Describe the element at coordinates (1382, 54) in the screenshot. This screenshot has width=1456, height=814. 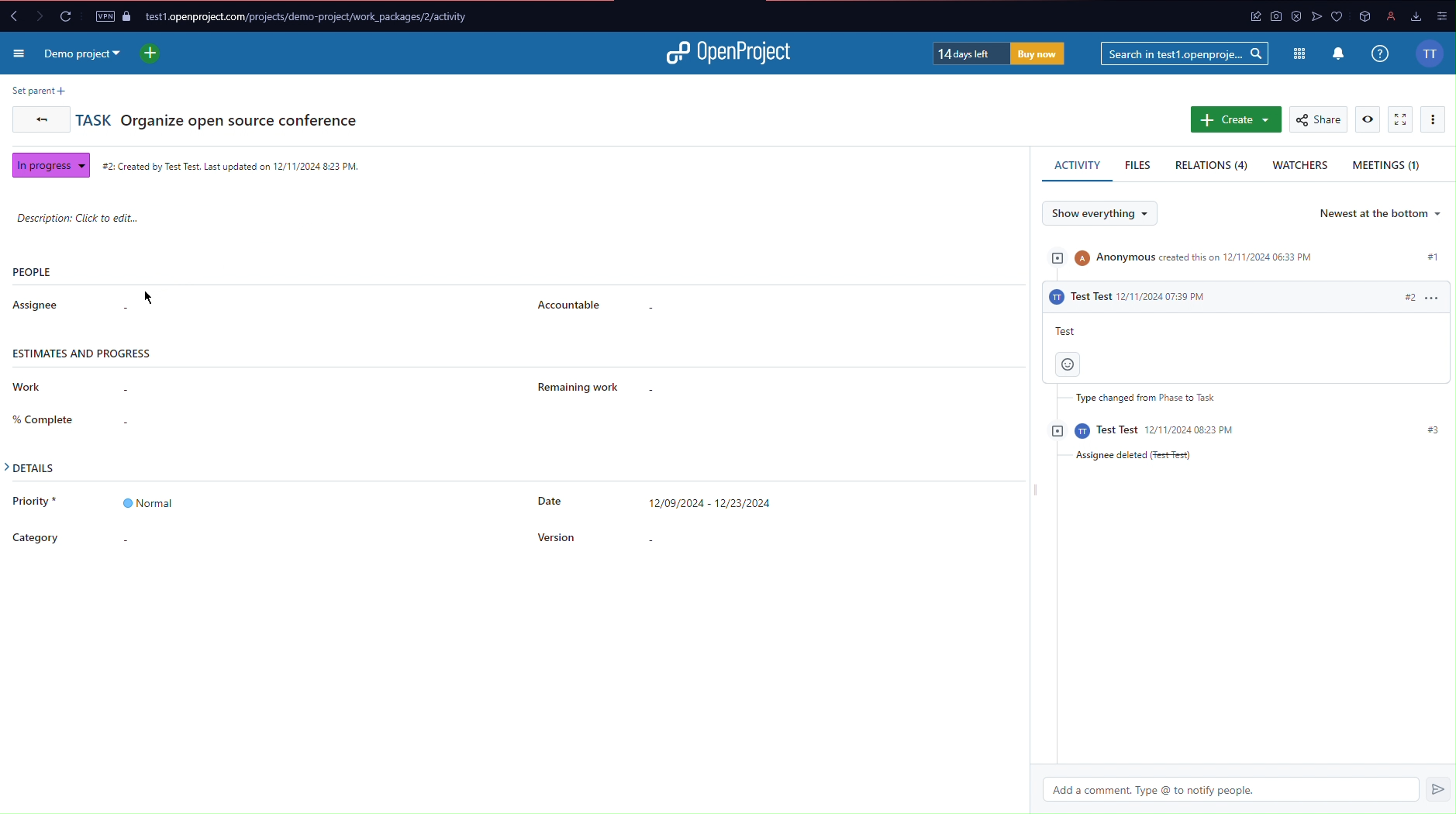
I see `Info` at that location.